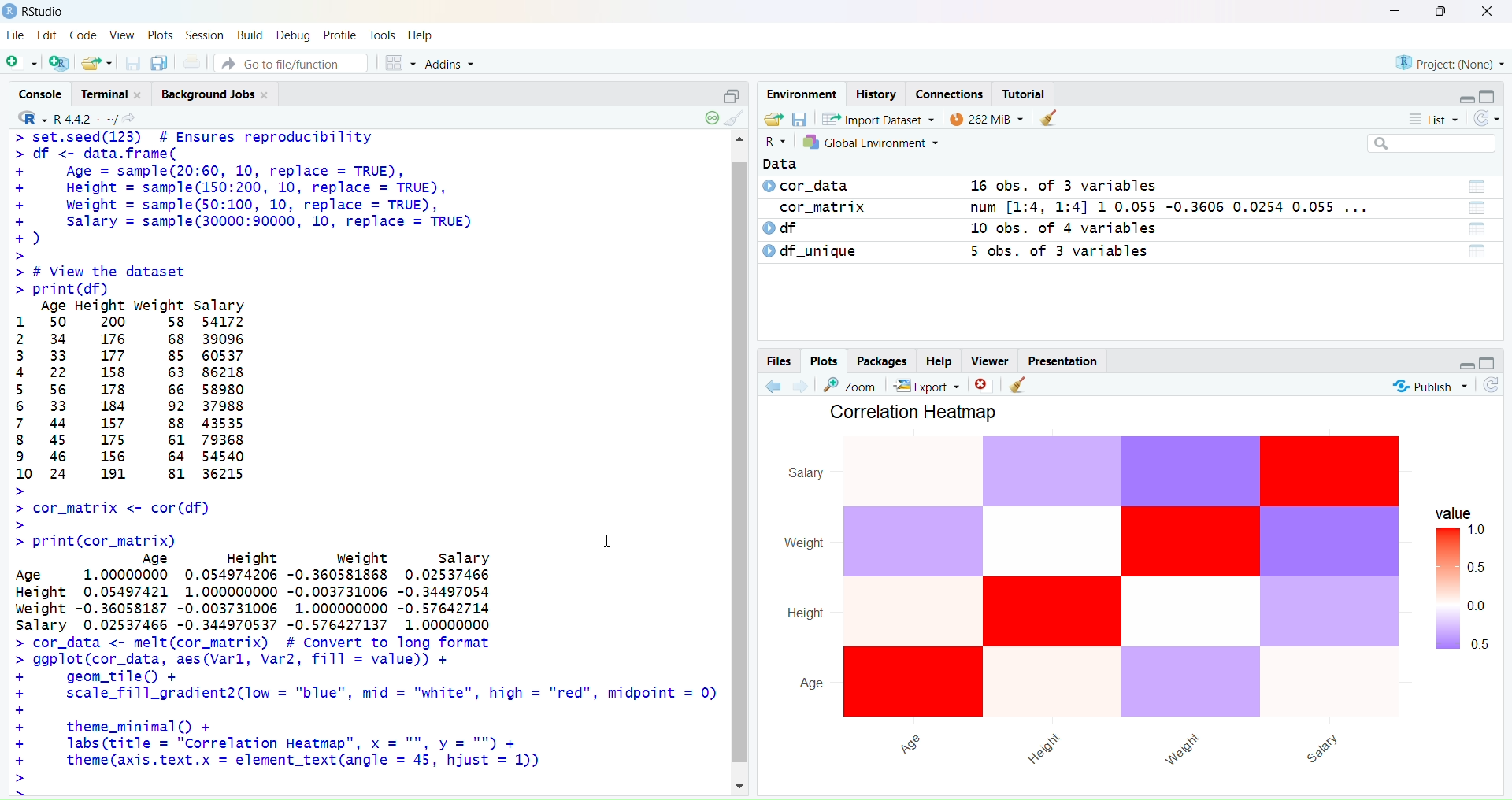 This screenshot has width=1512, height=800. What do you see at coordinates (739, 118) in the screenshot?
I see `Clear console (Ctrl + L)` at bounding box center [739, 118].